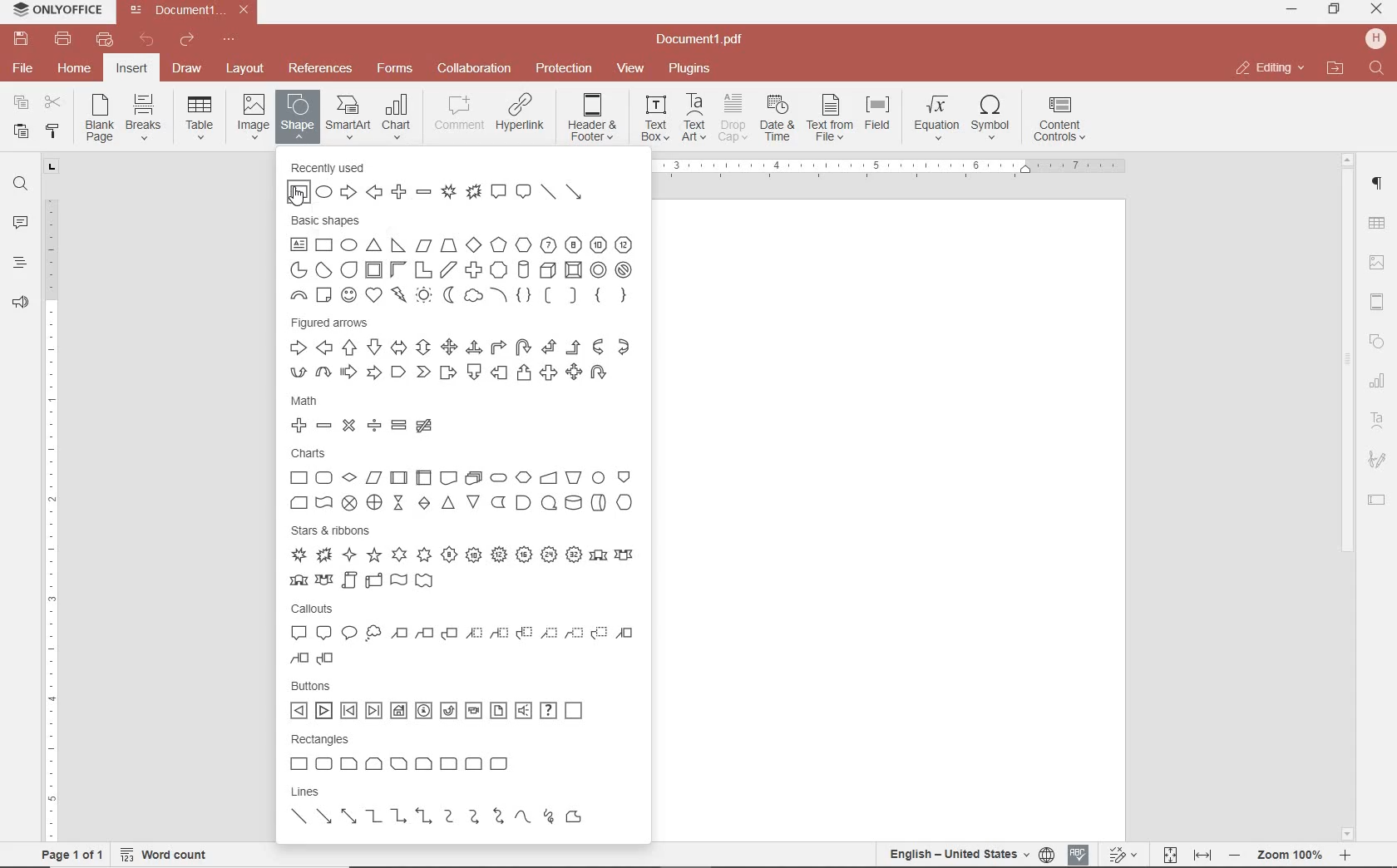 This screenshot has width=1397, height=868. Describe the element at coordinates (1379, 69) in the screenshot. I see `find` at that location.